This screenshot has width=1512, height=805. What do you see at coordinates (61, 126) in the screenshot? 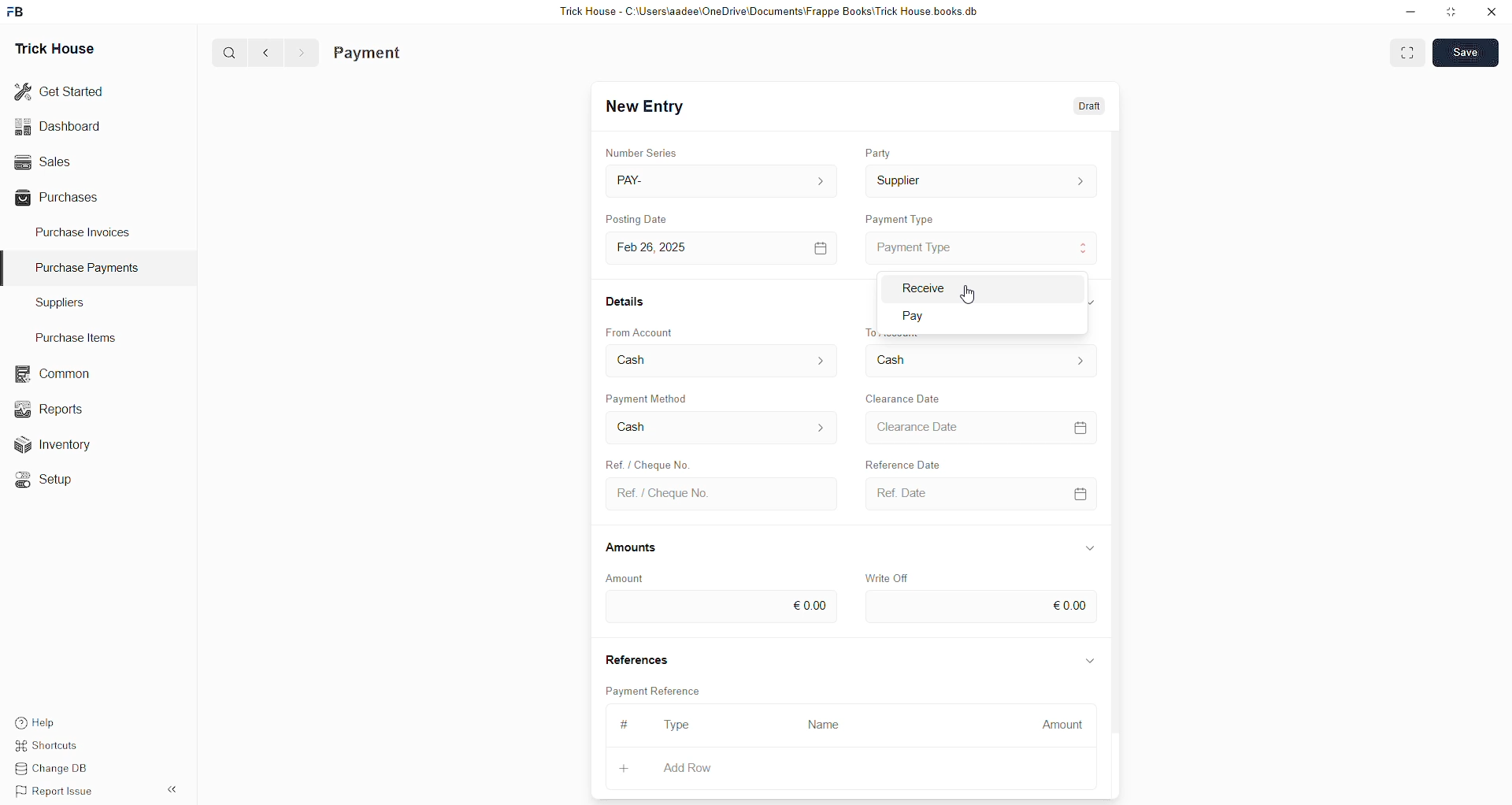
I see `Dashboard` at bounding box center [61, 126].